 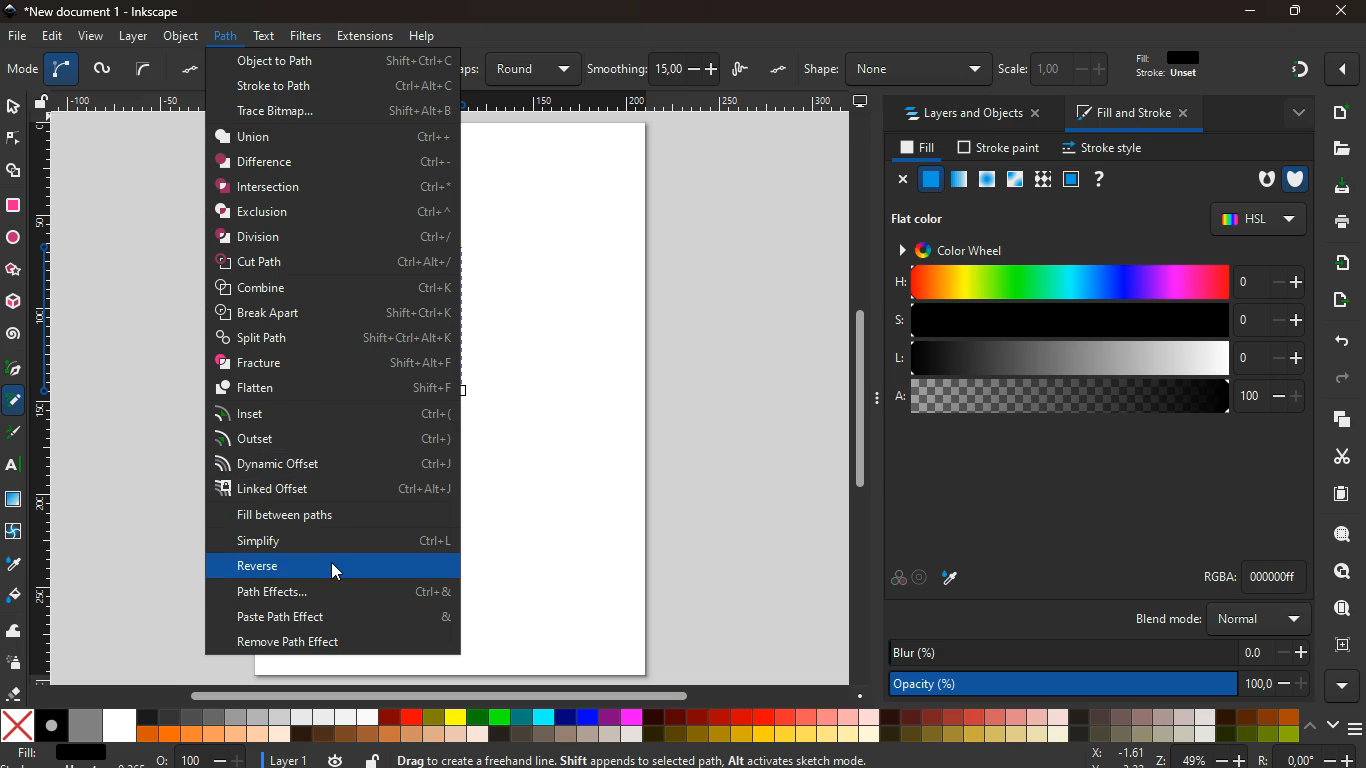 I want to click on remove path effect, so click(x=336, y=642).